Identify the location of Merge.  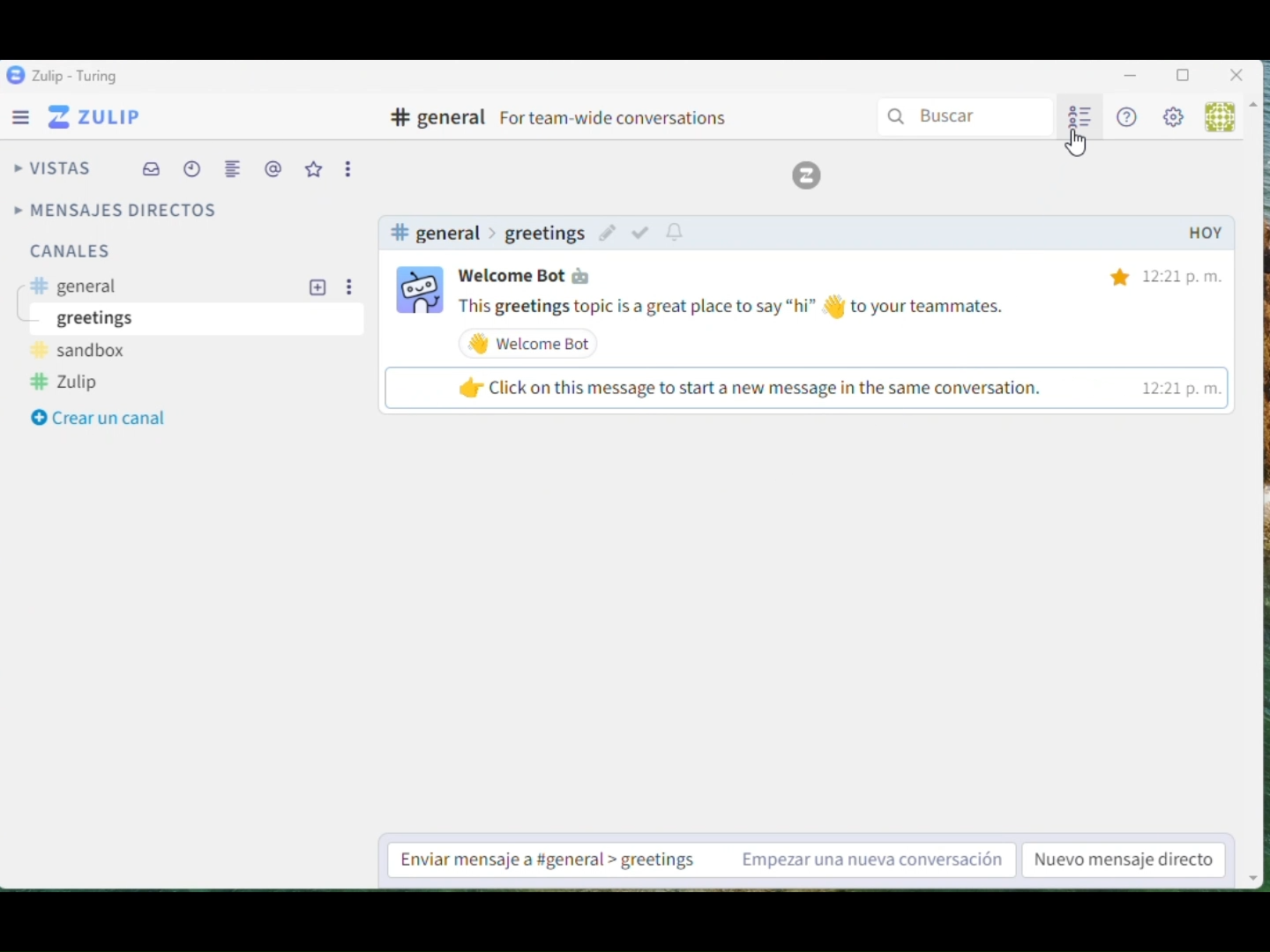
(235, 171).